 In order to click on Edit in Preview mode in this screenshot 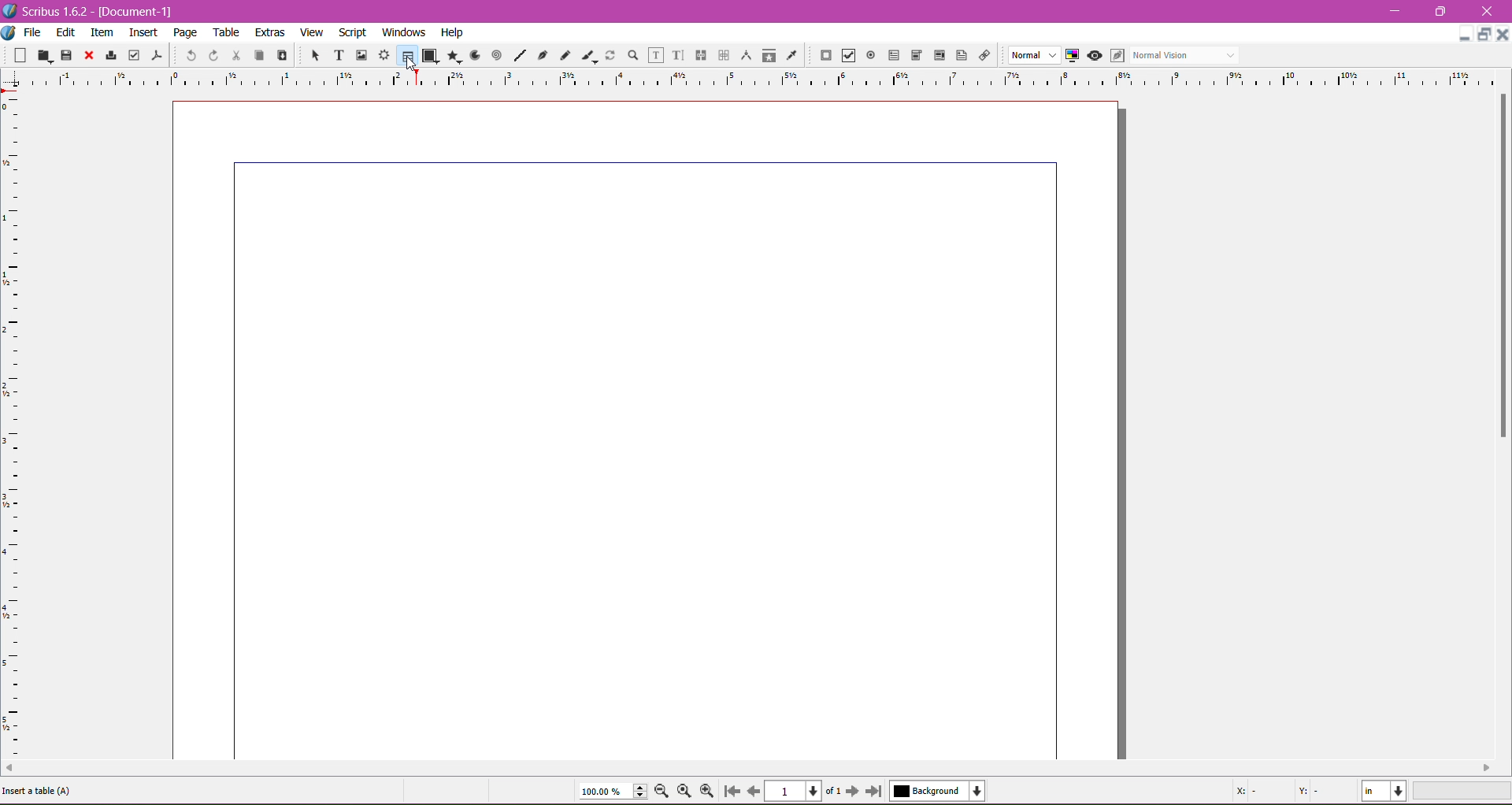, I will do `click(1116, 55)`.